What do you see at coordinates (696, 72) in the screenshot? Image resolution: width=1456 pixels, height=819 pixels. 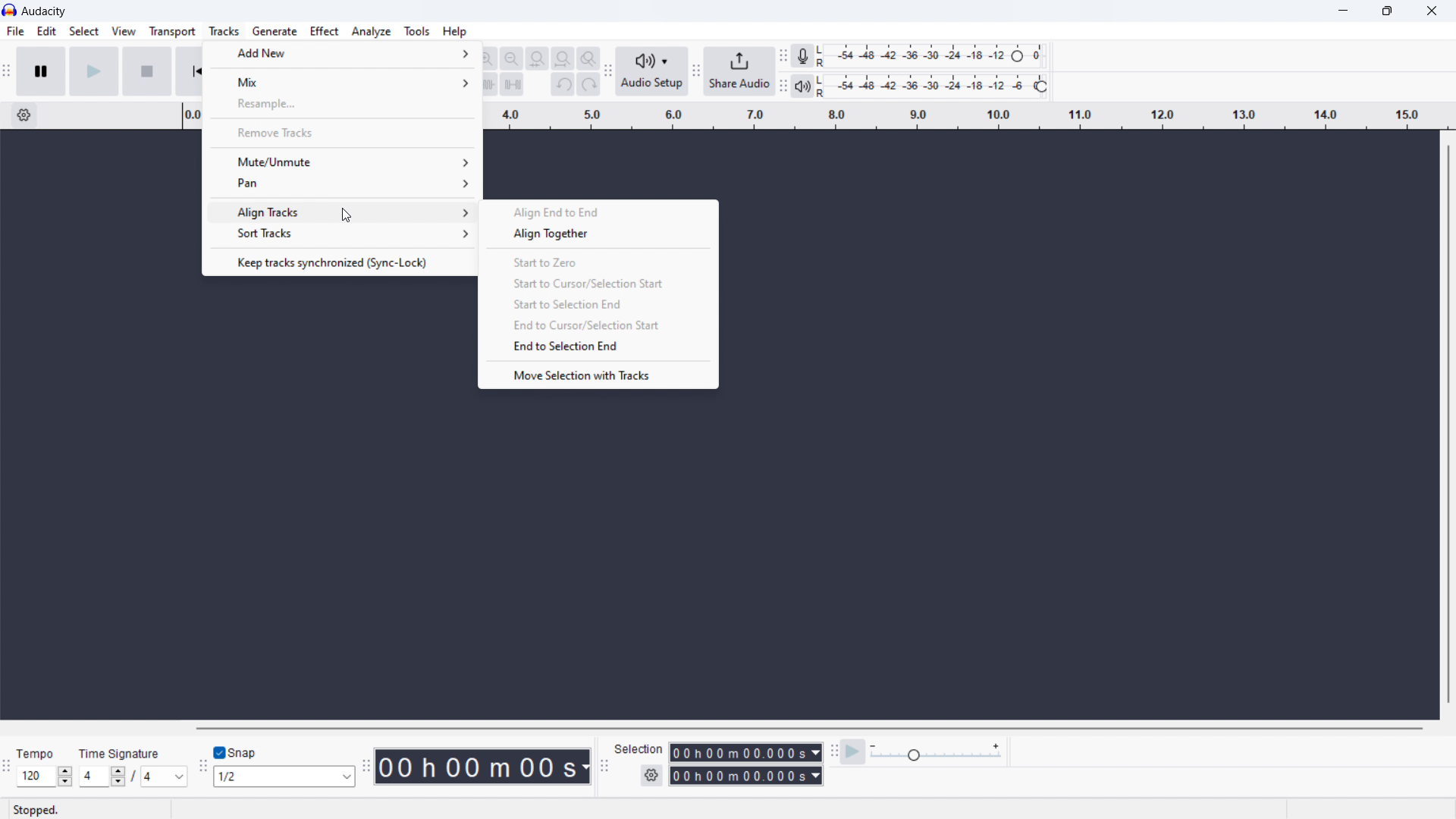 I see `share audio toolbar` at bounding box center [696, 72].